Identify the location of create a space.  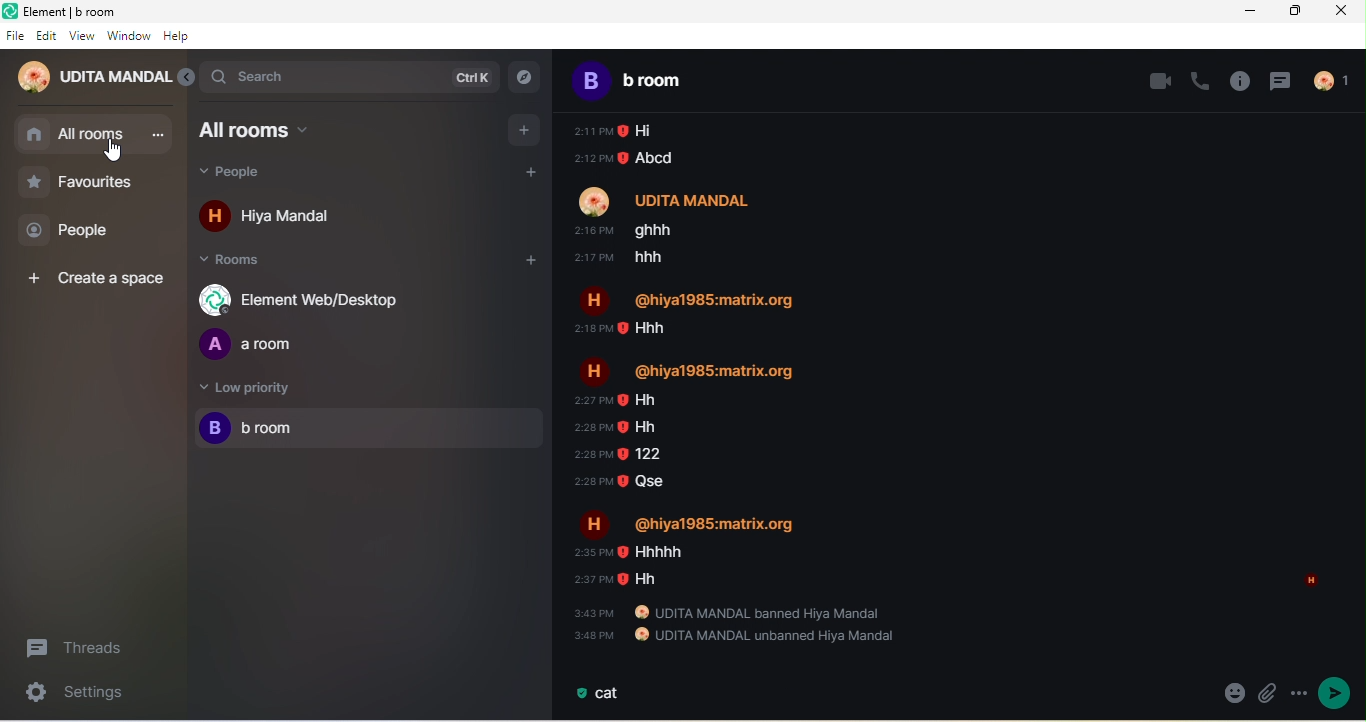
(100, 279).